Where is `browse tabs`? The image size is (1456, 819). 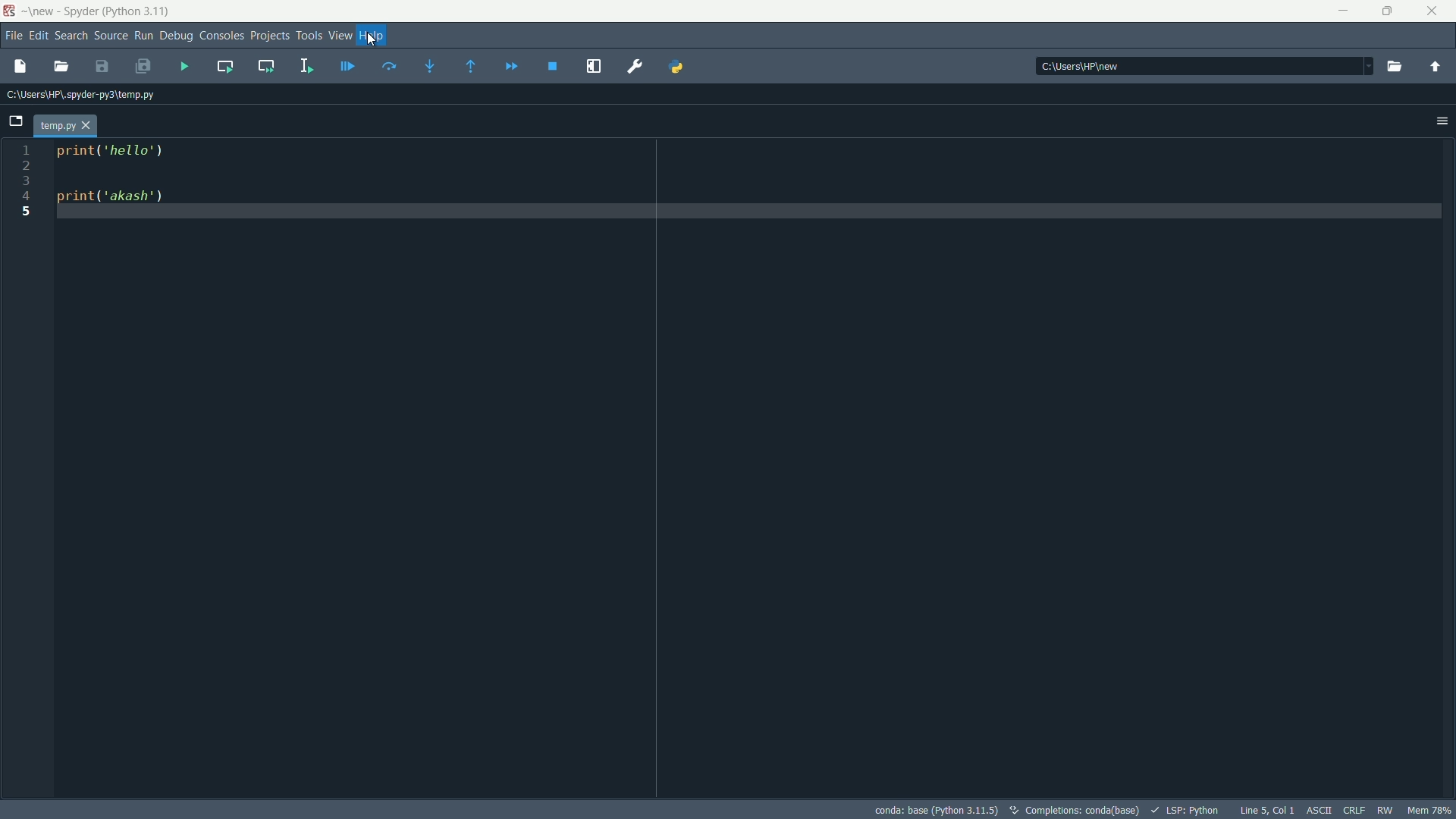 browse tabs is located at coordinates (17, 120).